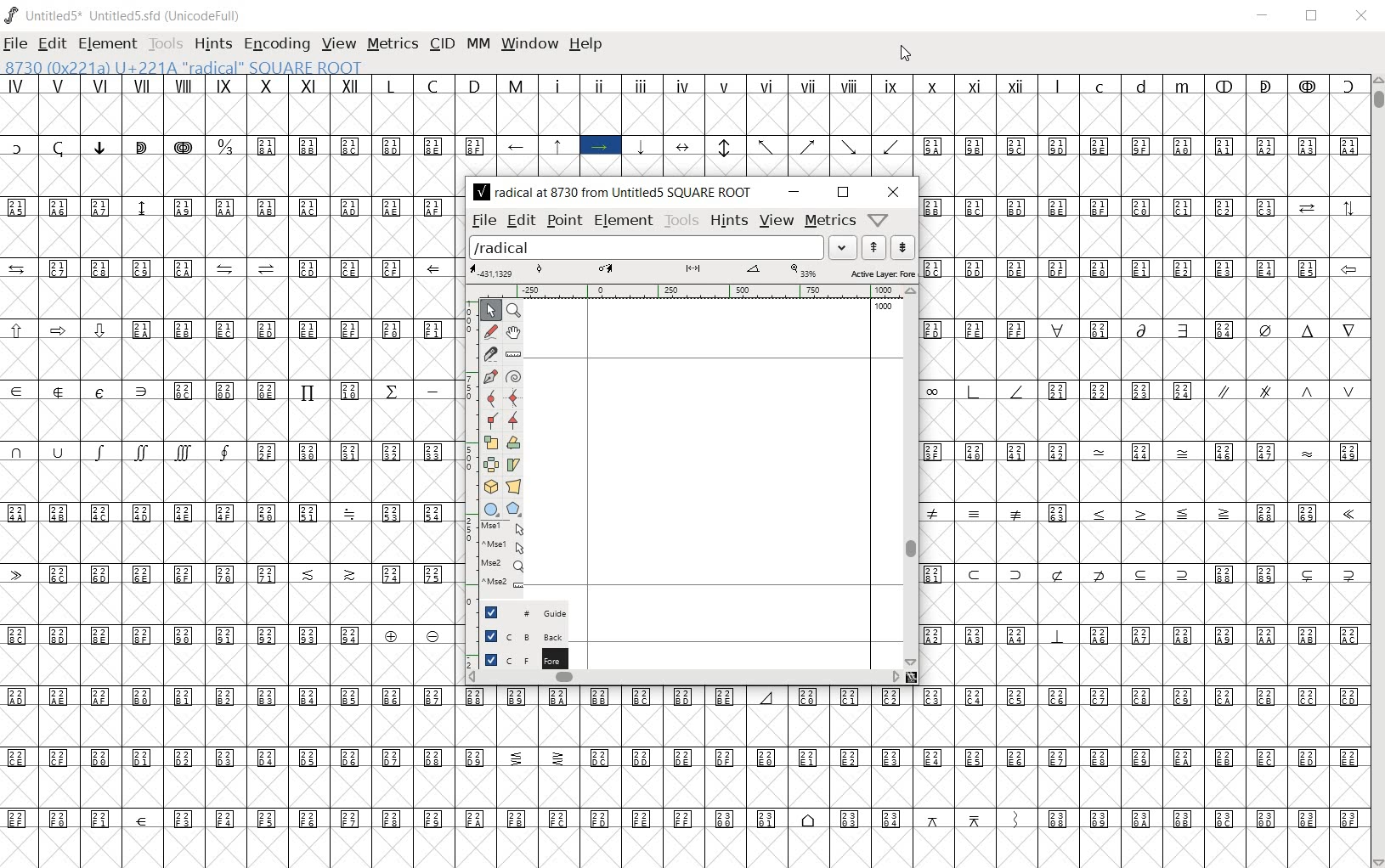  Describe the element at coordinates (489, 442) in the screenshot. I see `scale the selection` at that location.